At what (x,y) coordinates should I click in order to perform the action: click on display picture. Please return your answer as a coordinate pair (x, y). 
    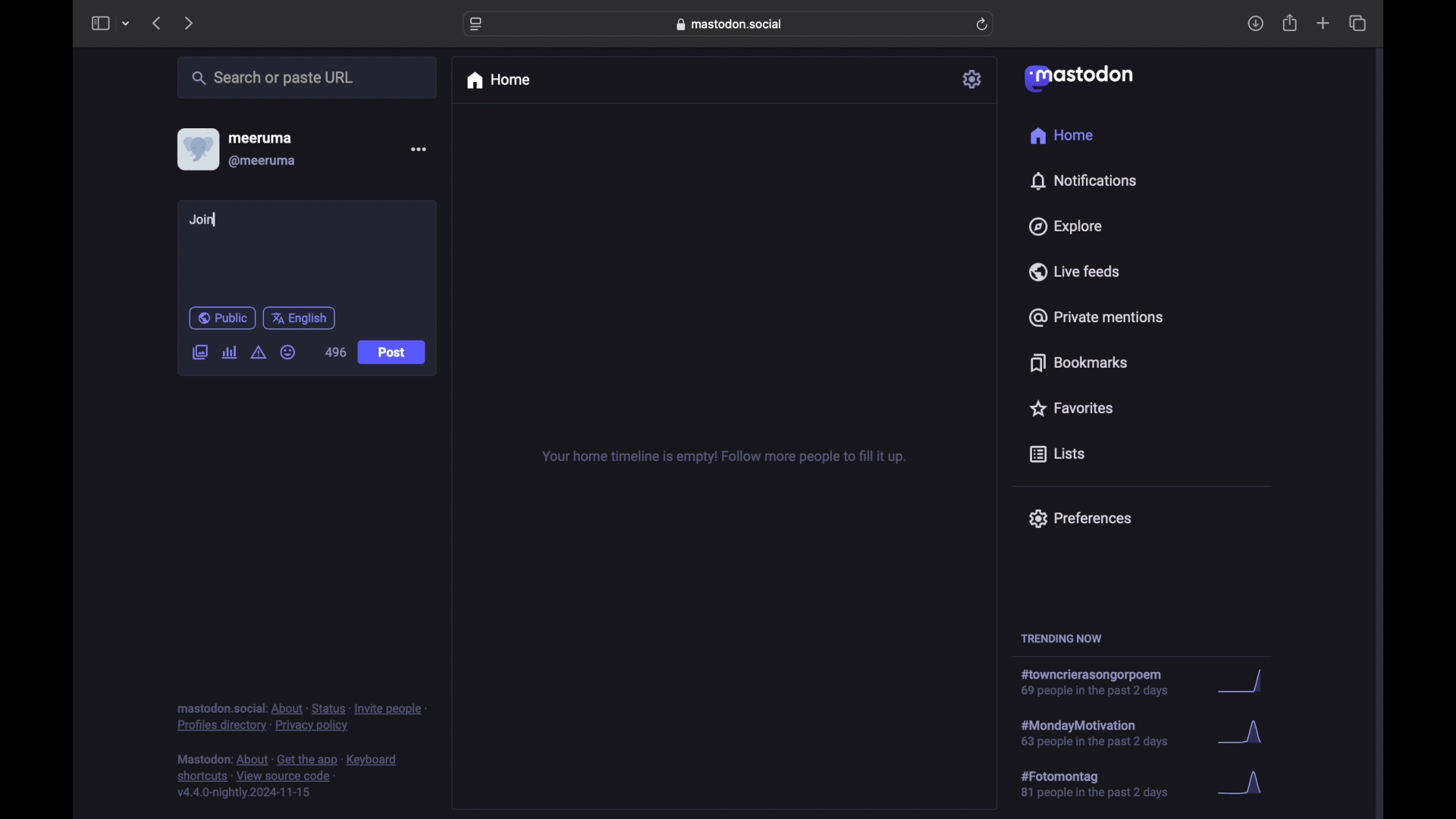
    Looking at the image, I should click on (196, 149).